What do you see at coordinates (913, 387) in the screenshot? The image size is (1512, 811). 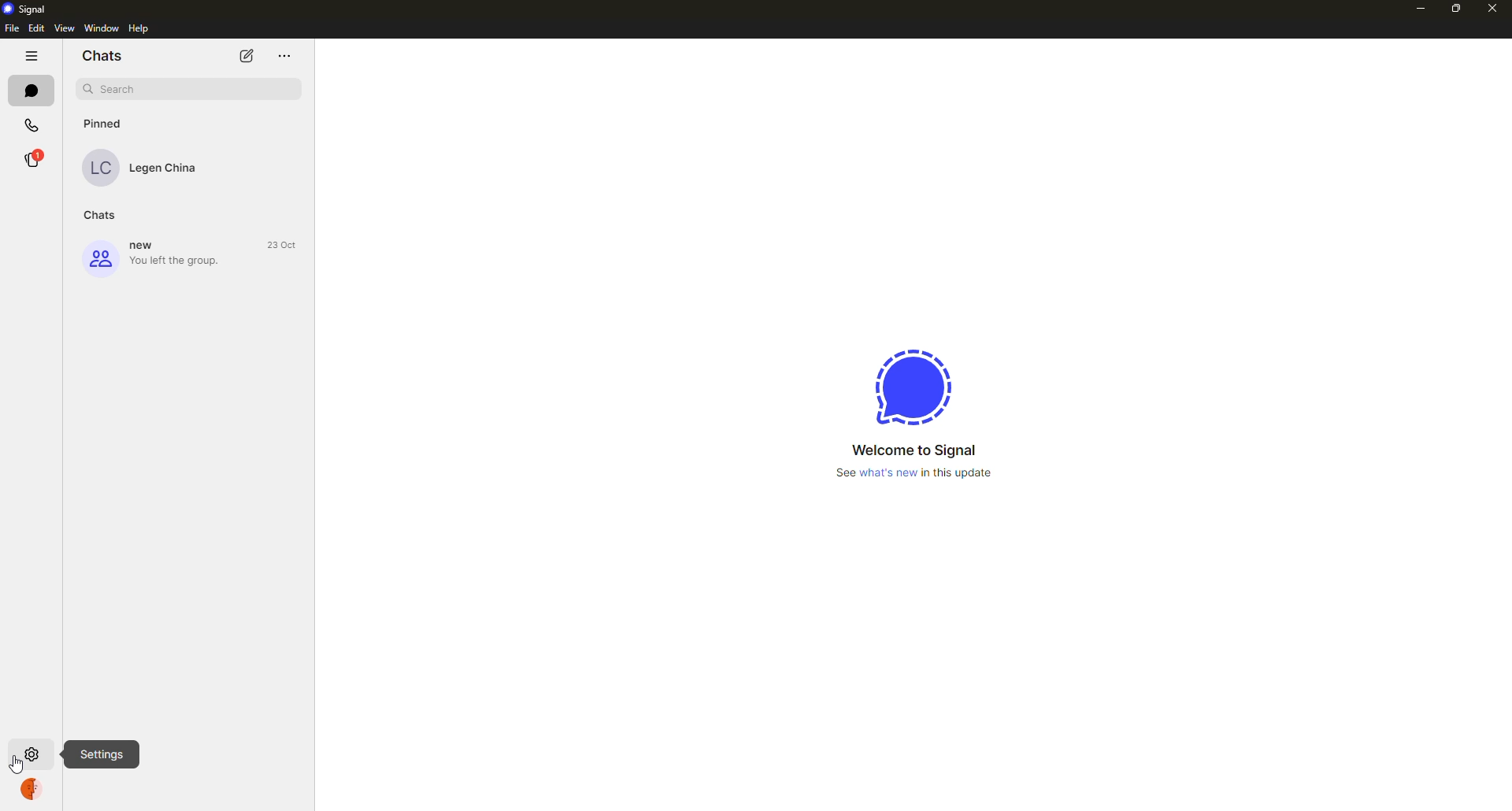 I see `logo` at bounding box center [913, 387].